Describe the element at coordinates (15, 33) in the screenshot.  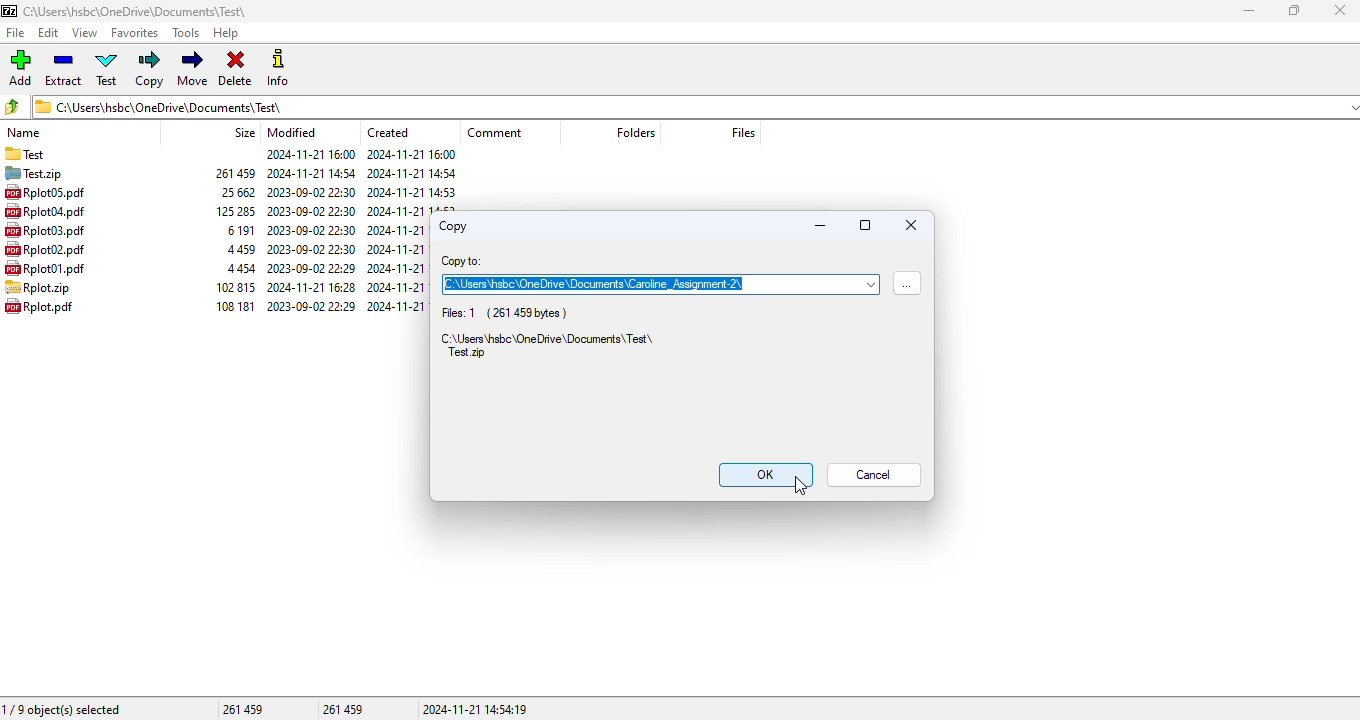
I see `file` at that location.